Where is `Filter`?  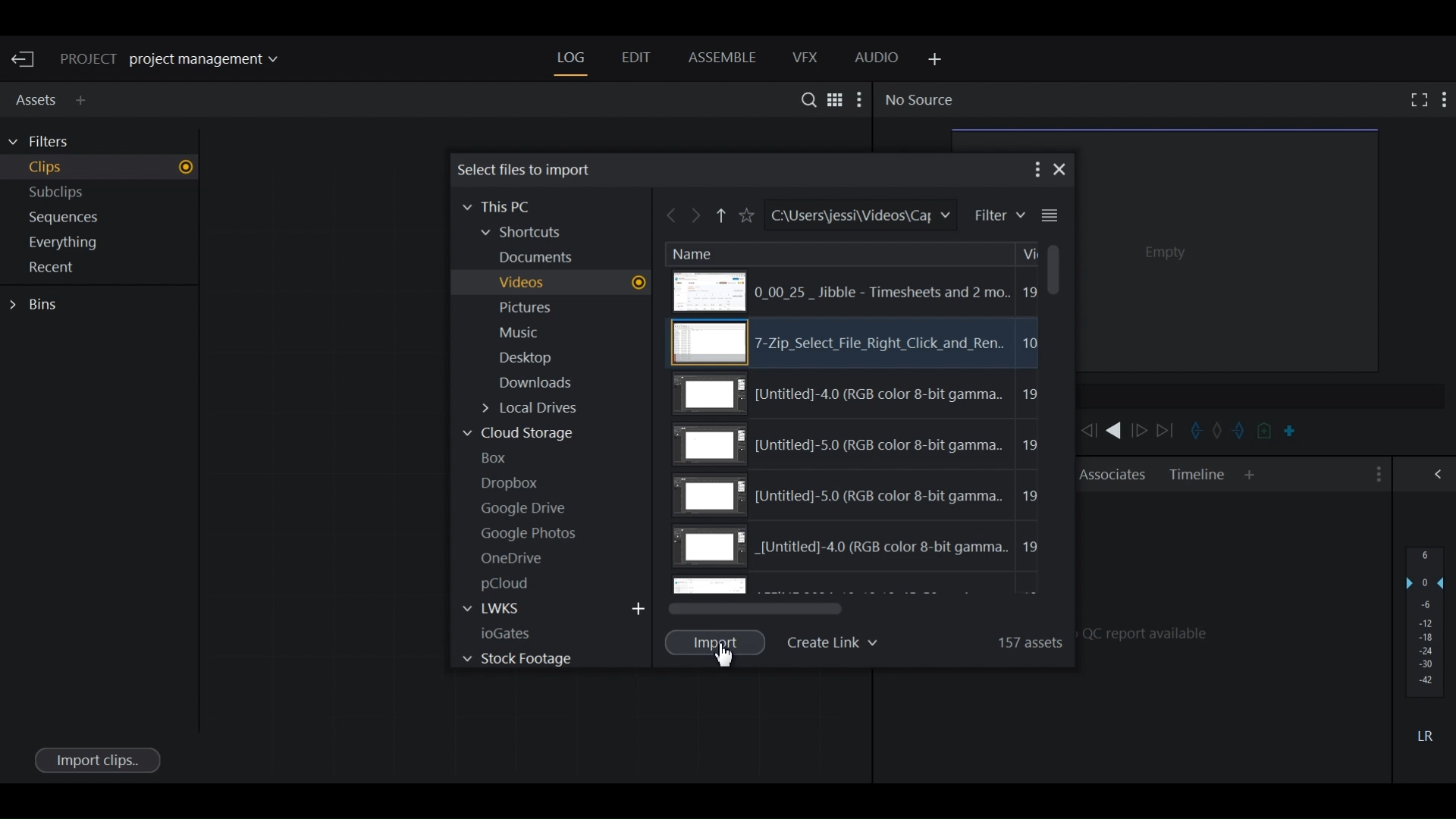
Filter is located at coordinates (998, 215).